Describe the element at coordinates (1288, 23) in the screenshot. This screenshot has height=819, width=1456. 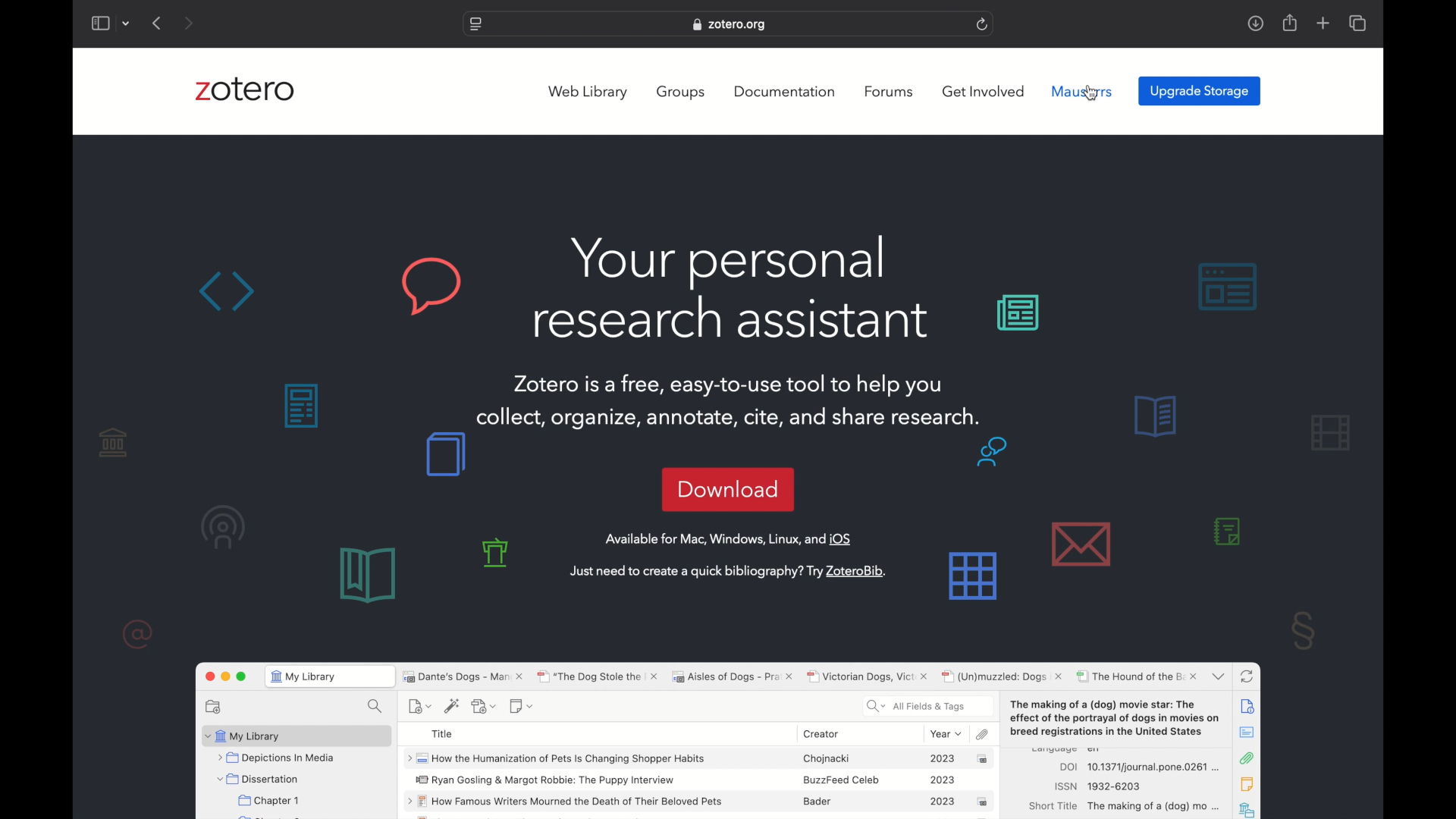
I see `share` at that location.